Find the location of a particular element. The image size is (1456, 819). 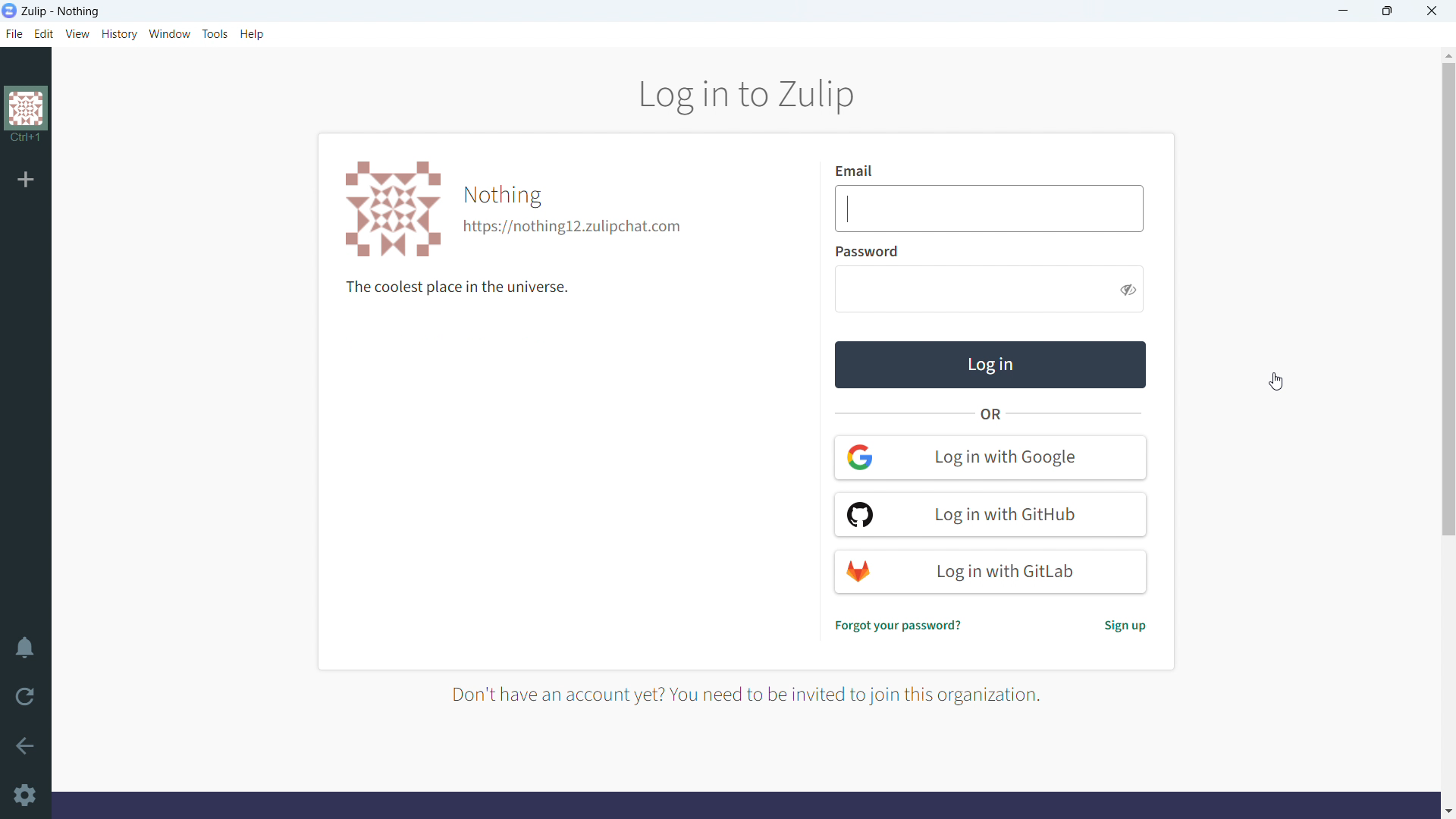

enable do not disturb is located at coordinates (25, 648).